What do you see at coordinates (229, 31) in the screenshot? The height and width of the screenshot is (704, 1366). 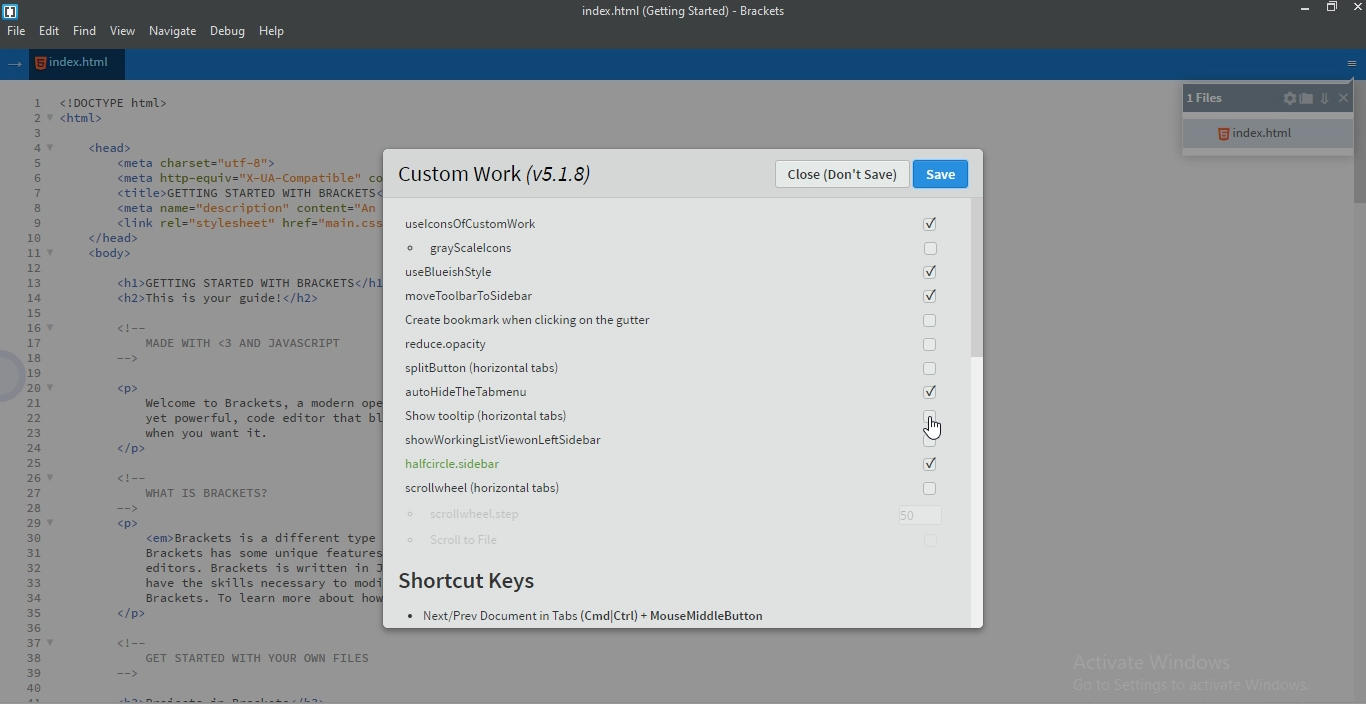 I see `Debug` at bounding box center [229, 31].